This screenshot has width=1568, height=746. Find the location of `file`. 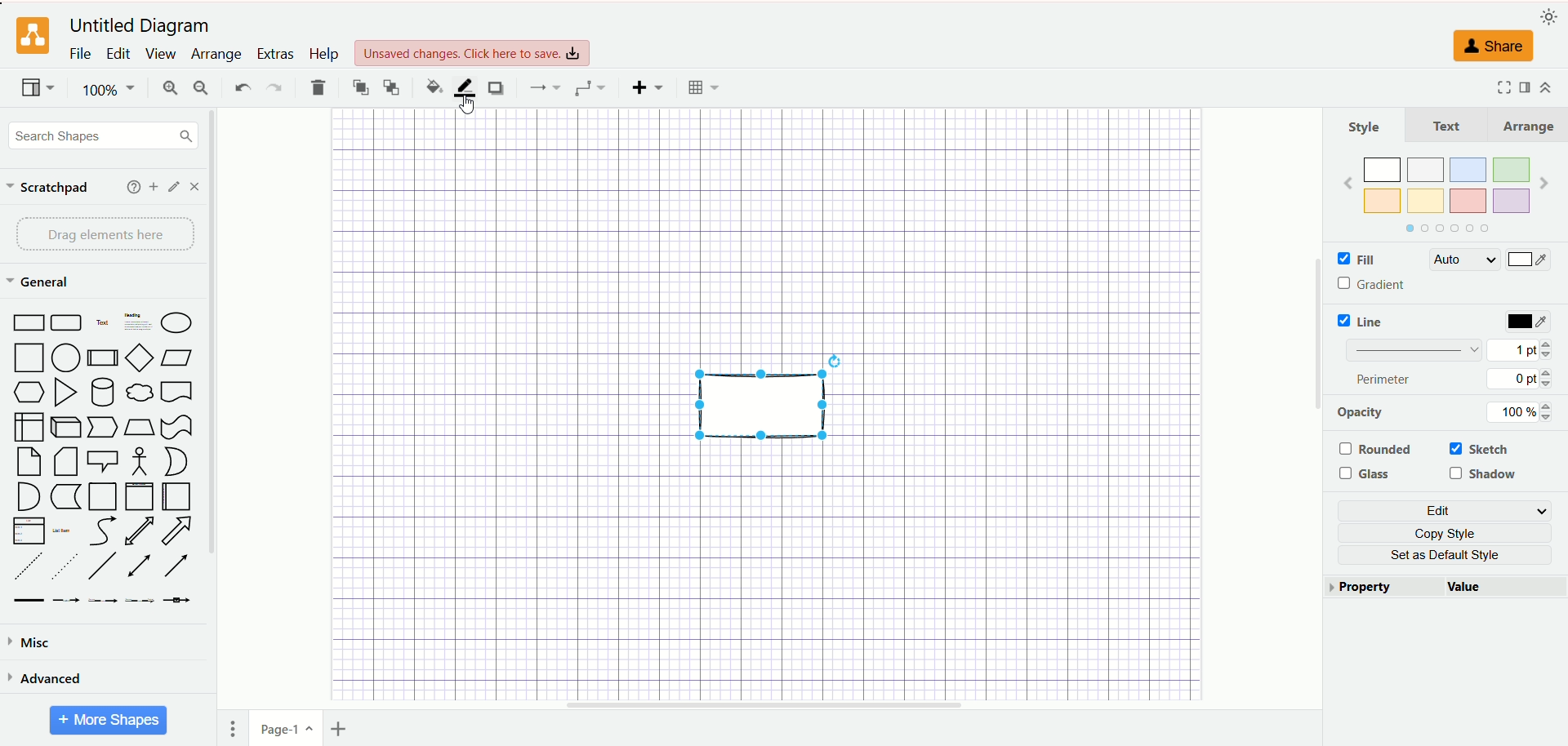

file is located at coordinates (79, 53).